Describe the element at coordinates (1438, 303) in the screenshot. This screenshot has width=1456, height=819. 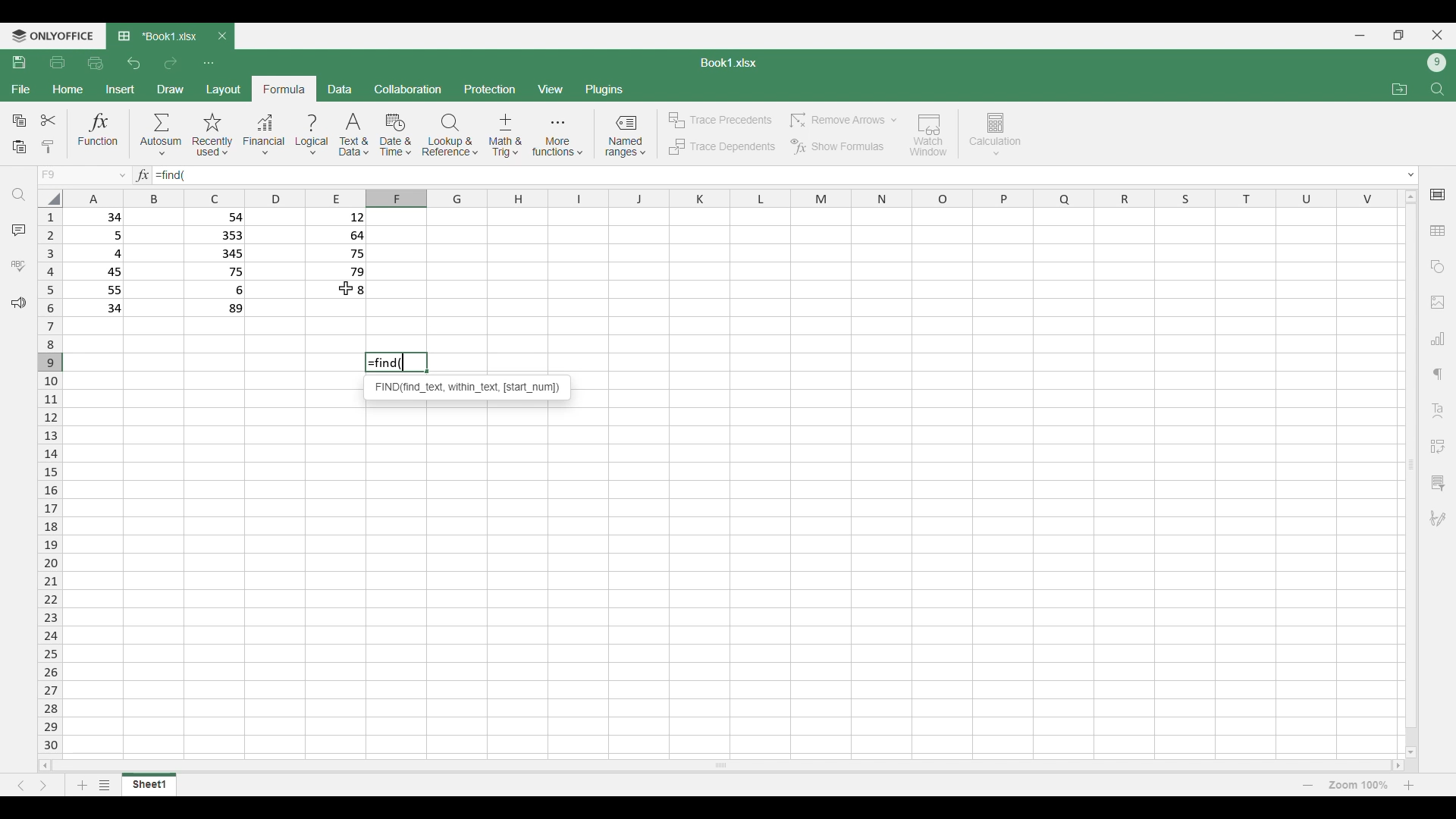
I see `Insert images` at that location.